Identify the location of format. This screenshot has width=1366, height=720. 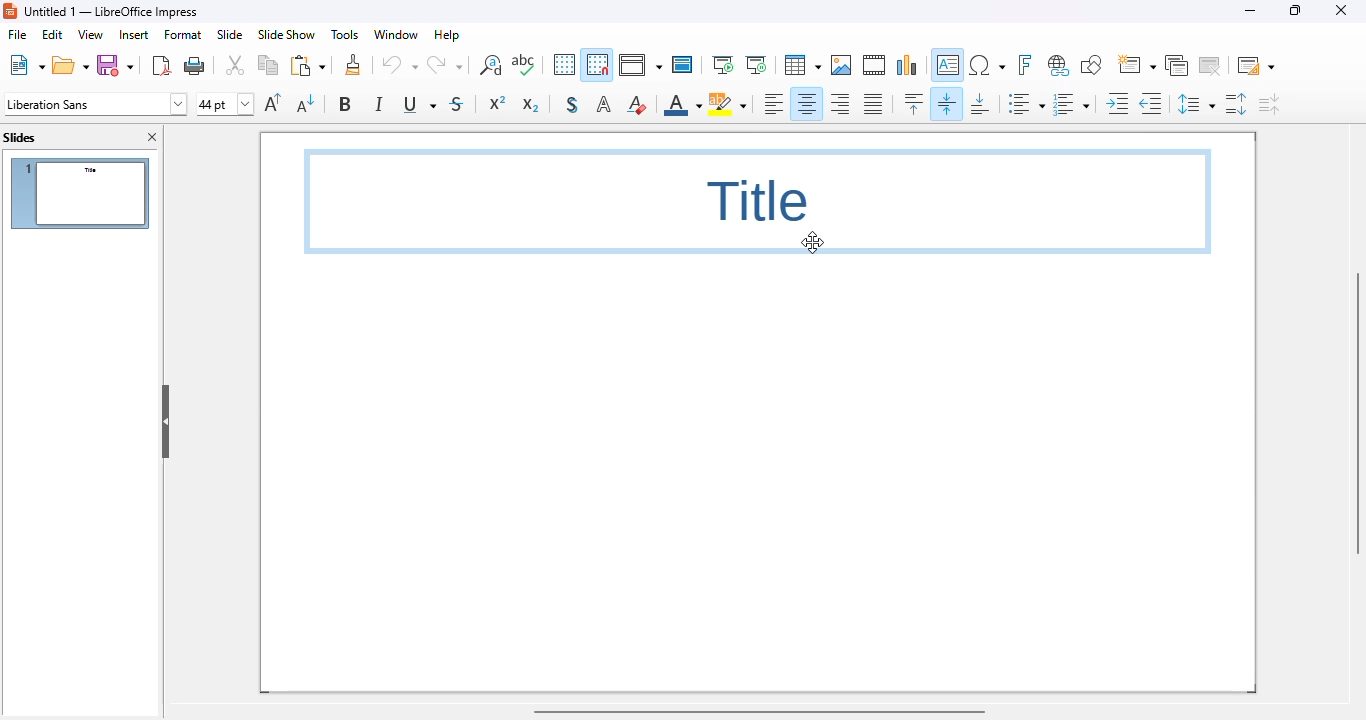
(182, 34).